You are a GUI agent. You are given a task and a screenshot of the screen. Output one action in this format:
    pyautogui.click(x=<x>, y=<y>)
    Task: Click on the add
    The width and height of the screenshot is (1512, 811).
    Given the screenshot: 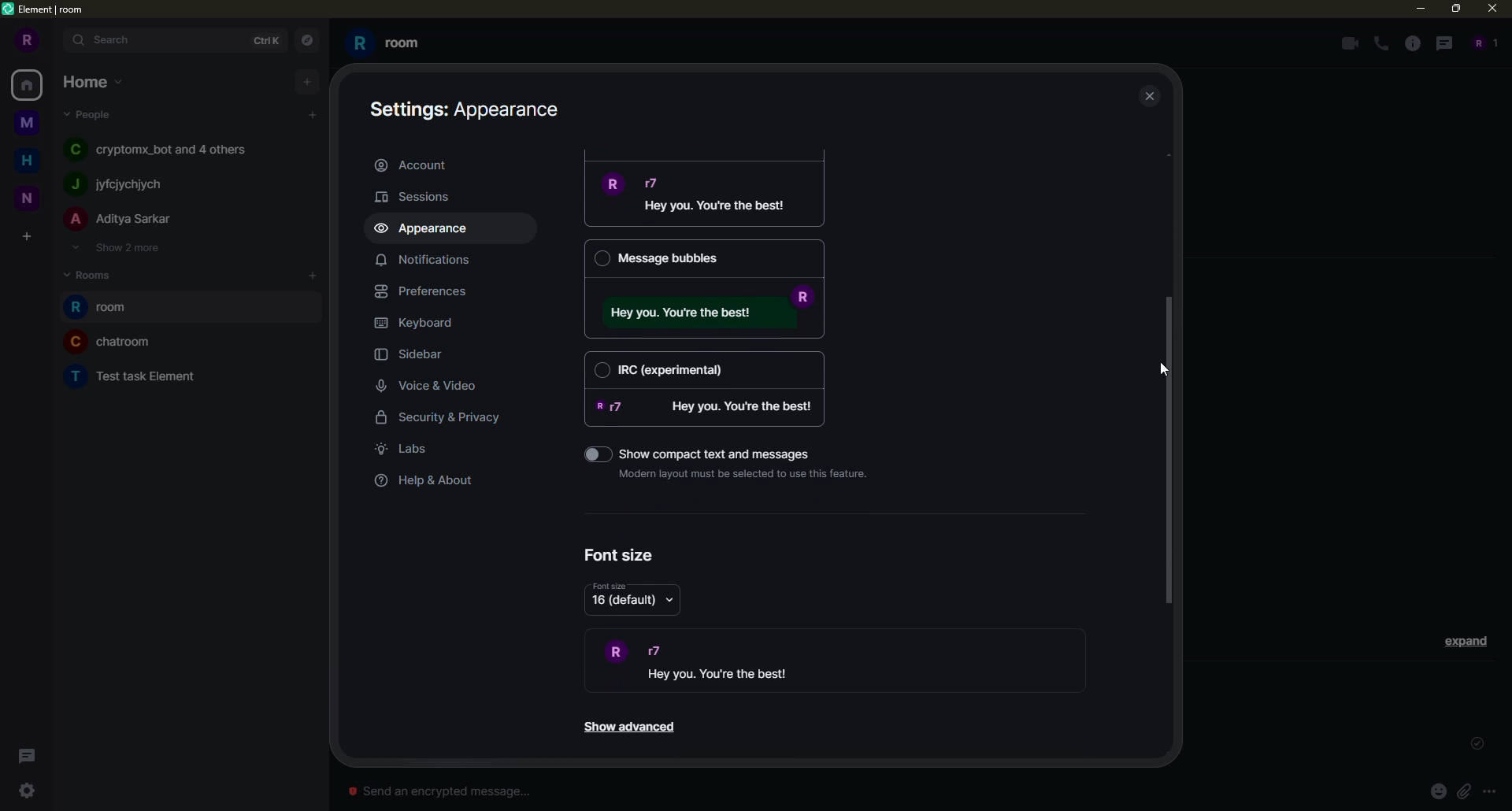 What is the action you would take?
    pyautogui.click(x=313, y=115)
    